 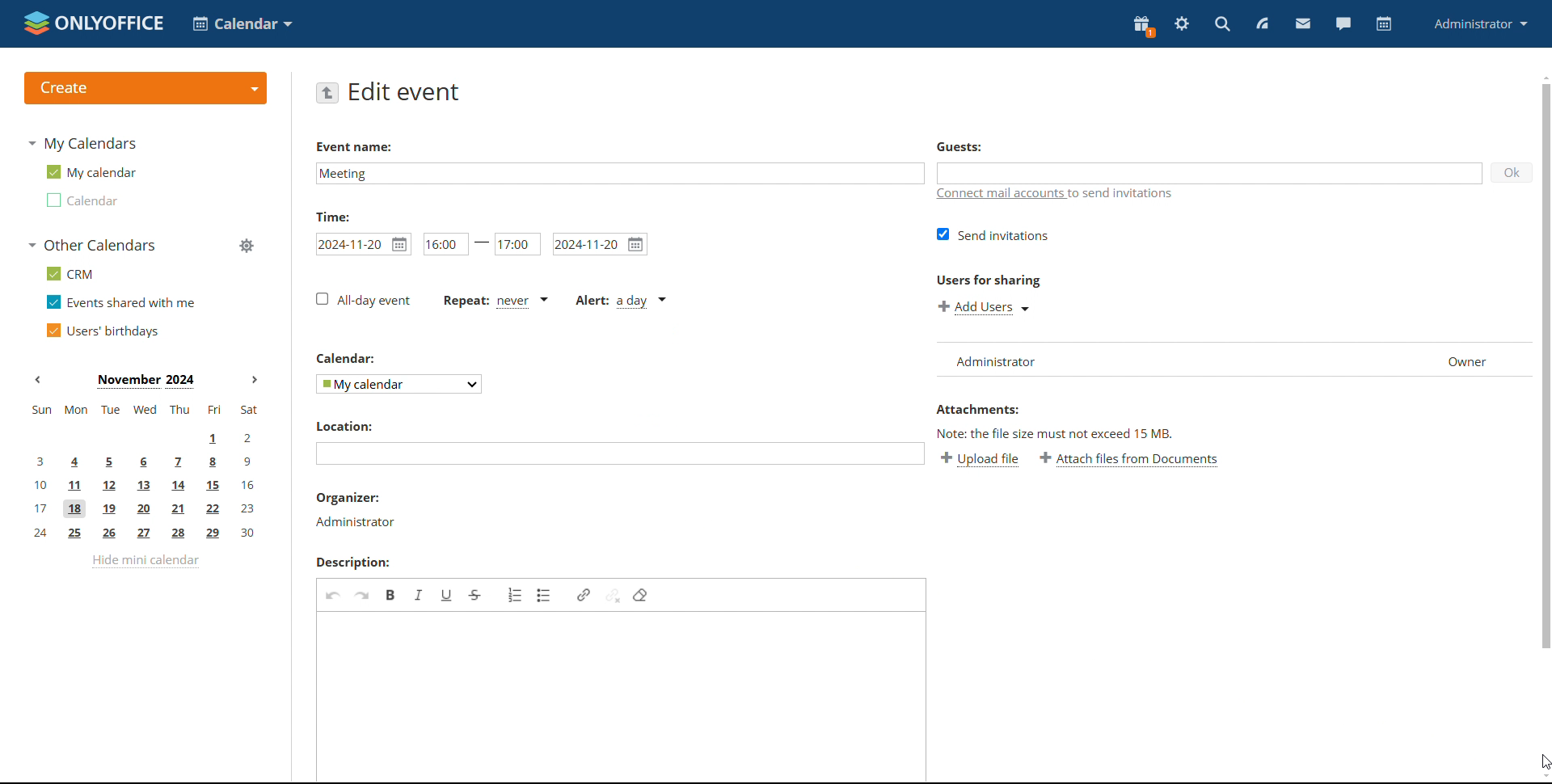 I want to click on organiser, so click(x=356, y=523).